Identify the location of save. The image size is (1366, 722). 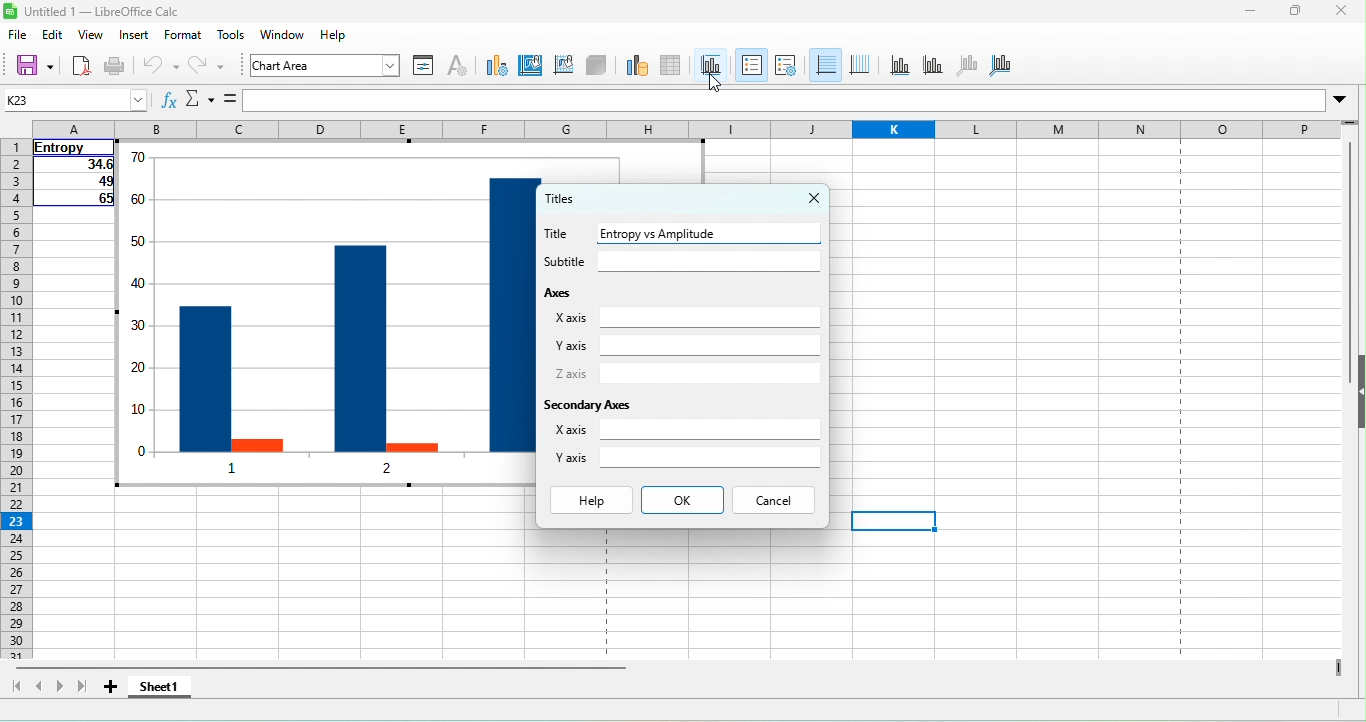
(35, 67).